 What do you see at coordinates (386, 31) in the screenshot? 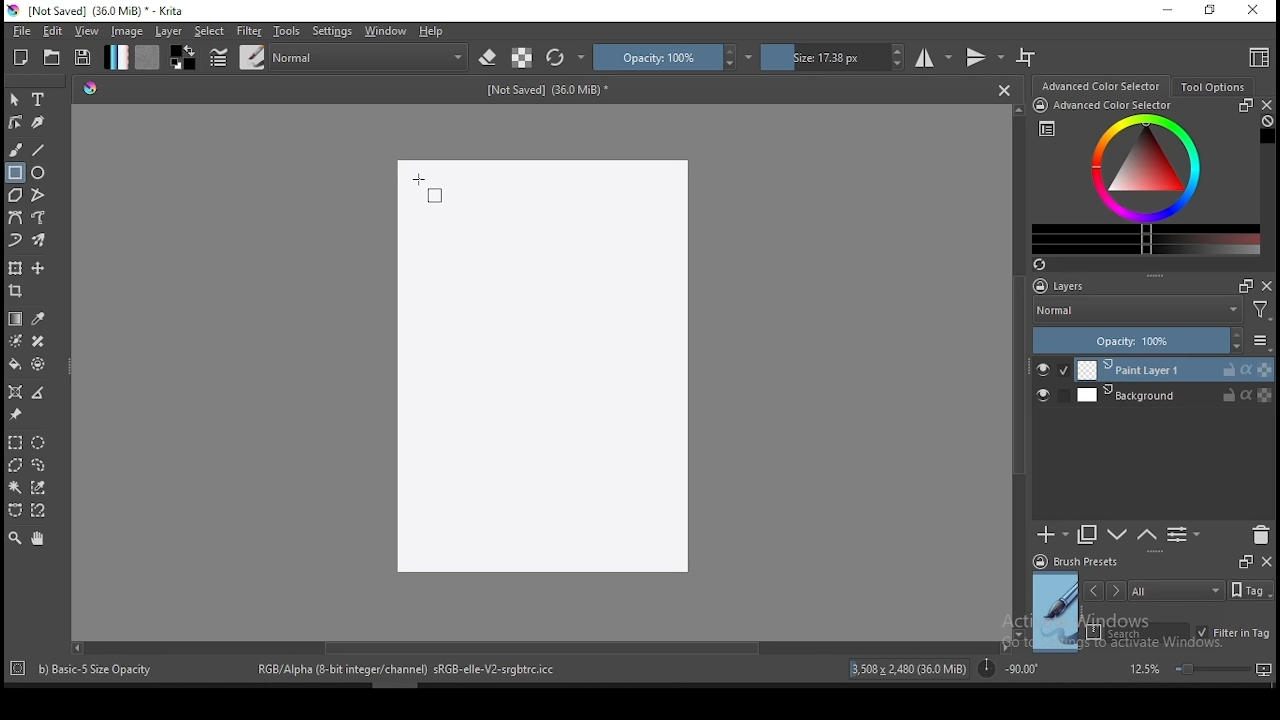
I see `windows` at bounding box center [386, 31].